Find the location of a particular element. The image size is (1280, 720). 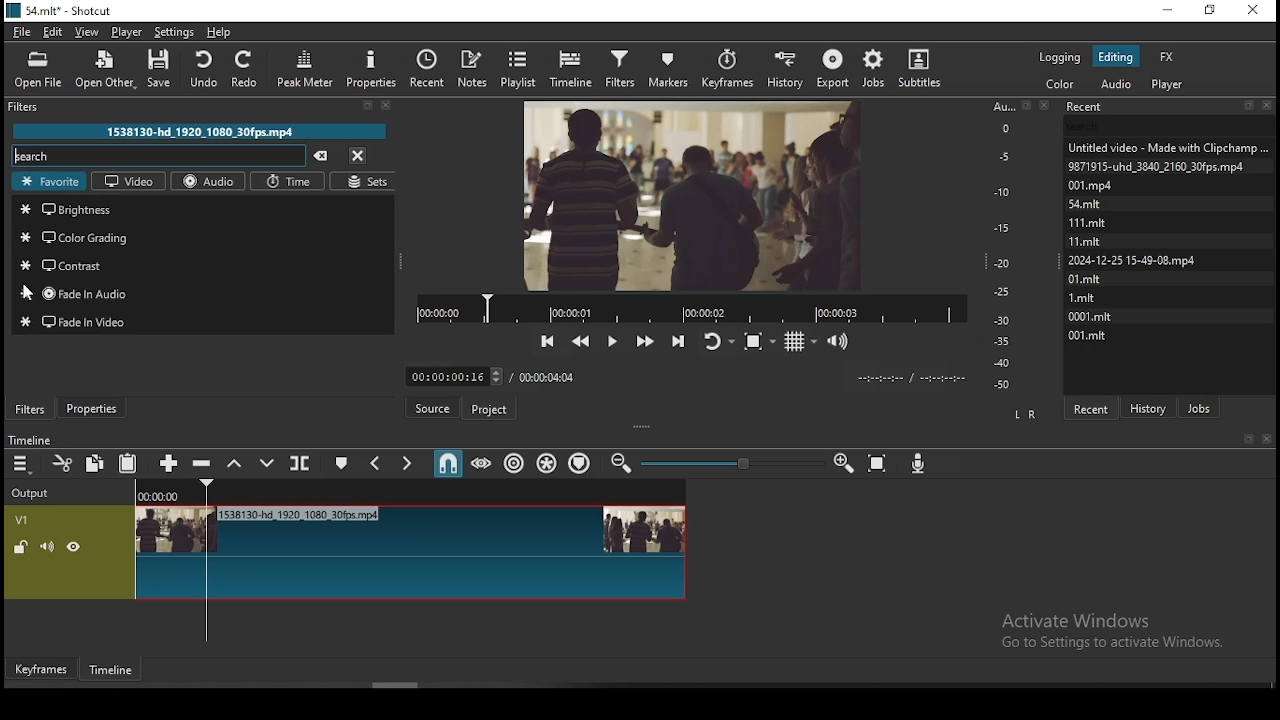

file is located at coordinates (24, 32).